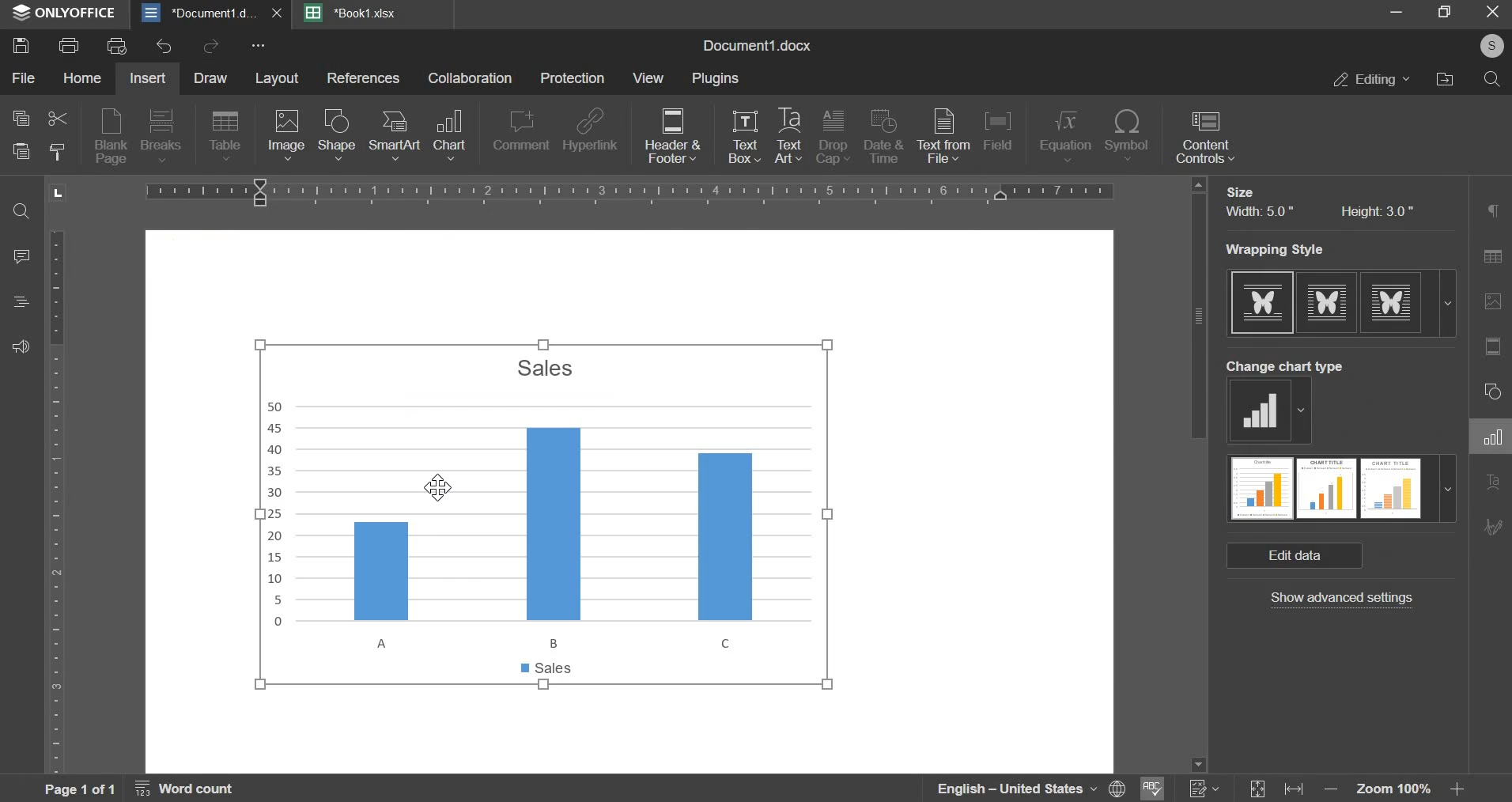 Image resolution: width=1512 pixels, height=802 pixels. Describe the element at coordinates (286, 136) in the screenshot. I see `image` at that location.